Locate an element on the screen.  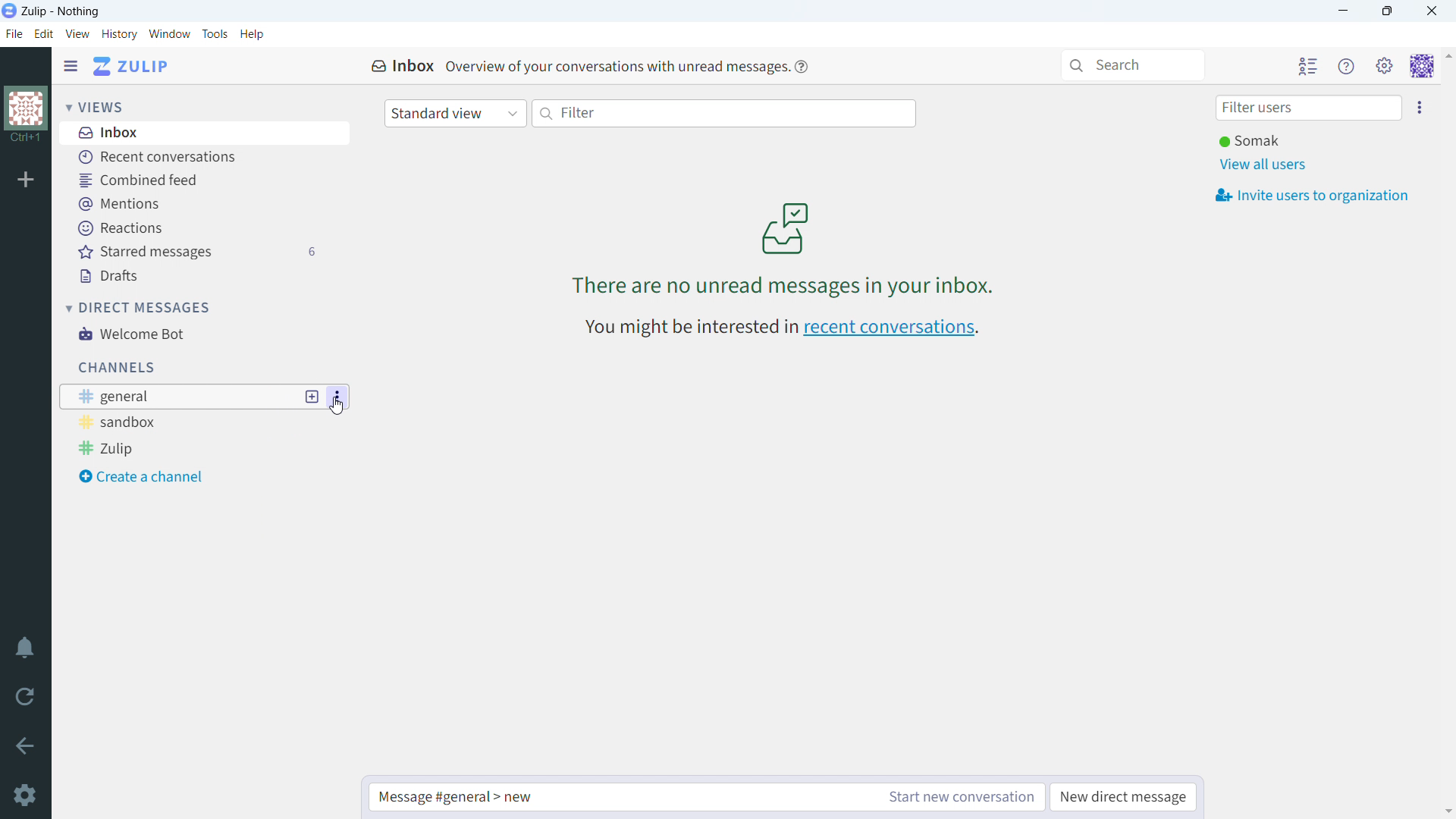
inbox is located at coordinates (403, 67).